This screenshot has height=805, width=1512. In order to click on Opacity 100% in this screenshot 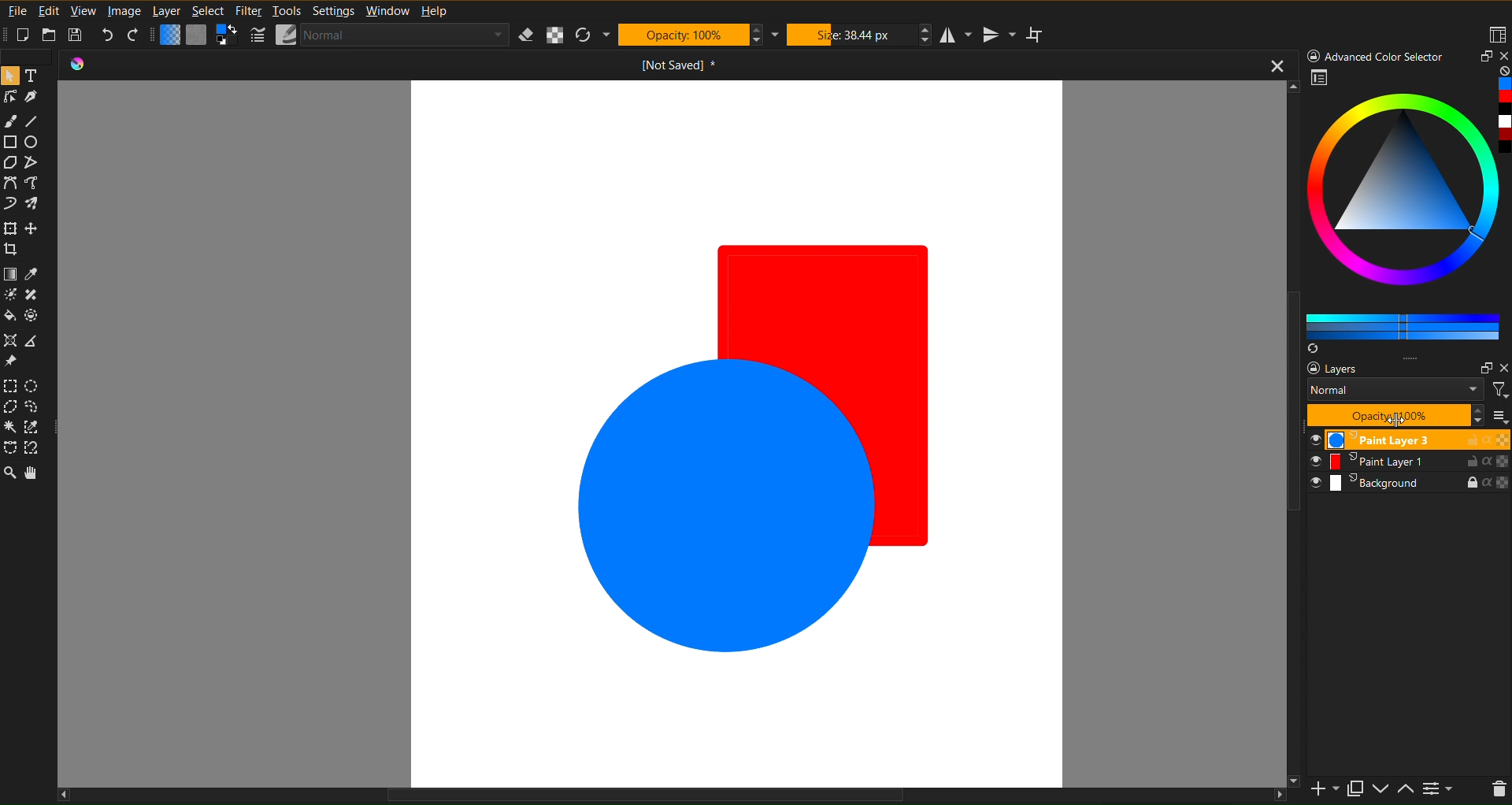, I will do `click(1394, 415)`.